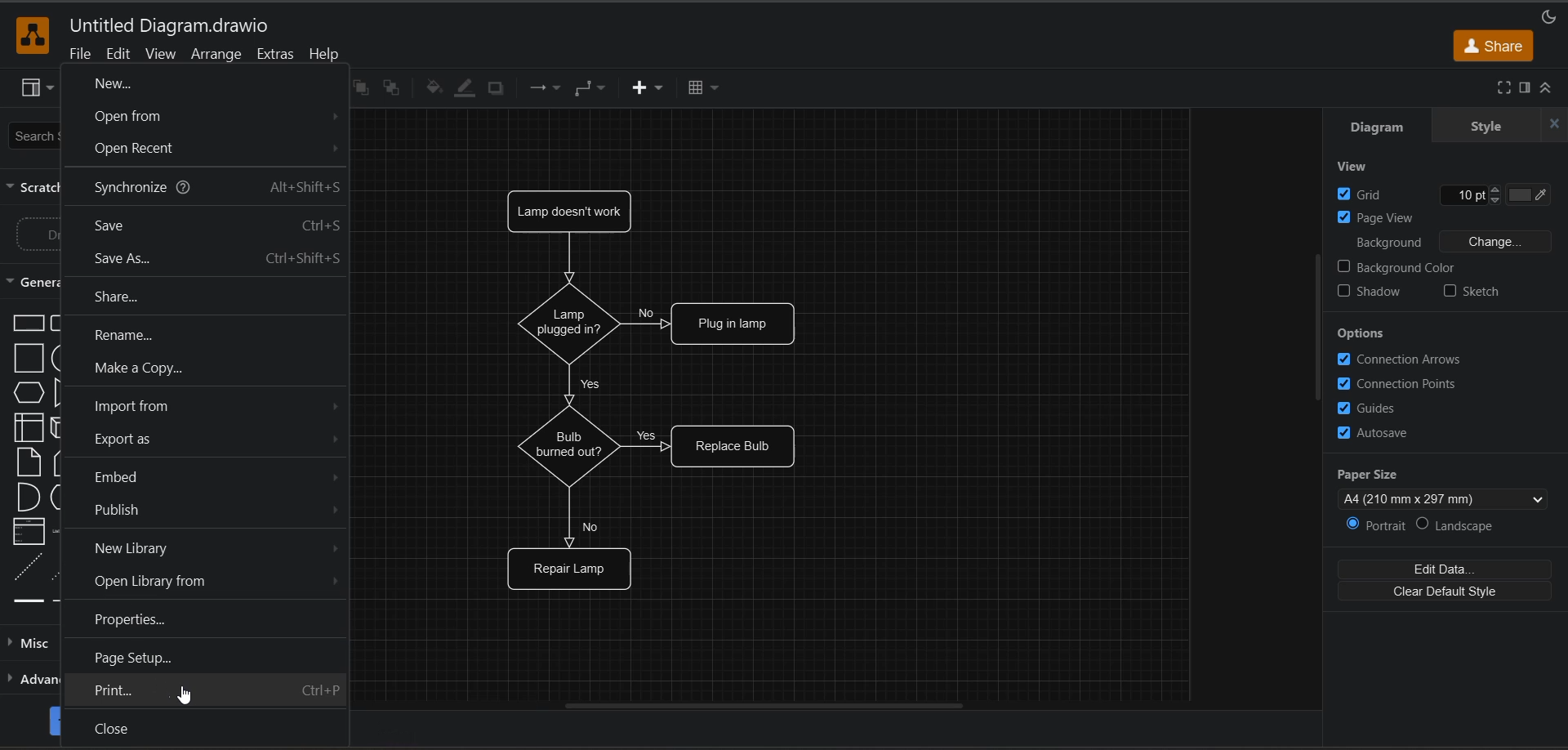 The width and height of the screenshot is (1568, 750). What do you see at coordinates (1450, 565) in the screenshot?
I see `edit data` at bounding box center [1450, 565].